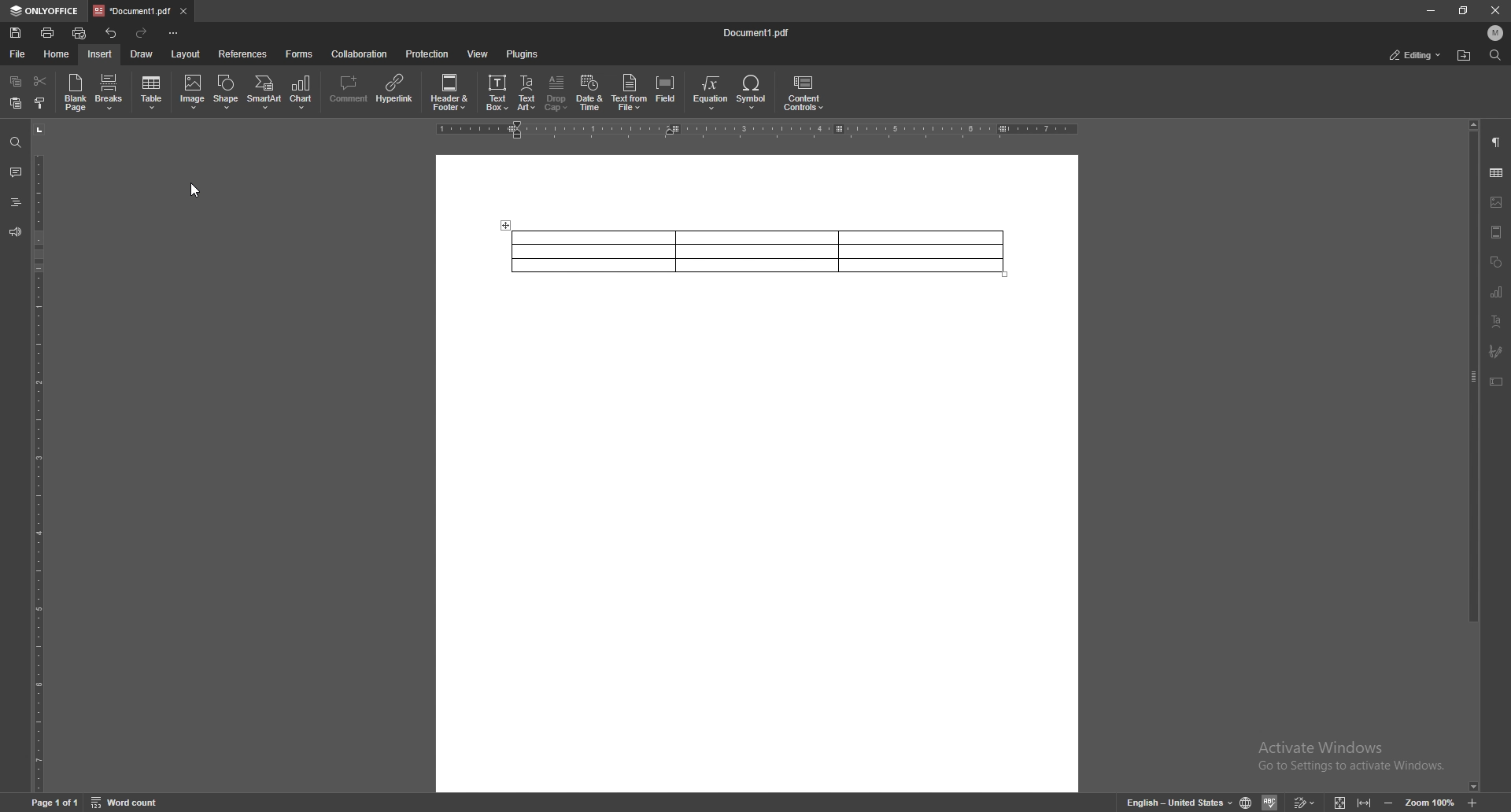  Describe the element at coordinates (758, 32) in the screenshot. I see `file name` at that location.